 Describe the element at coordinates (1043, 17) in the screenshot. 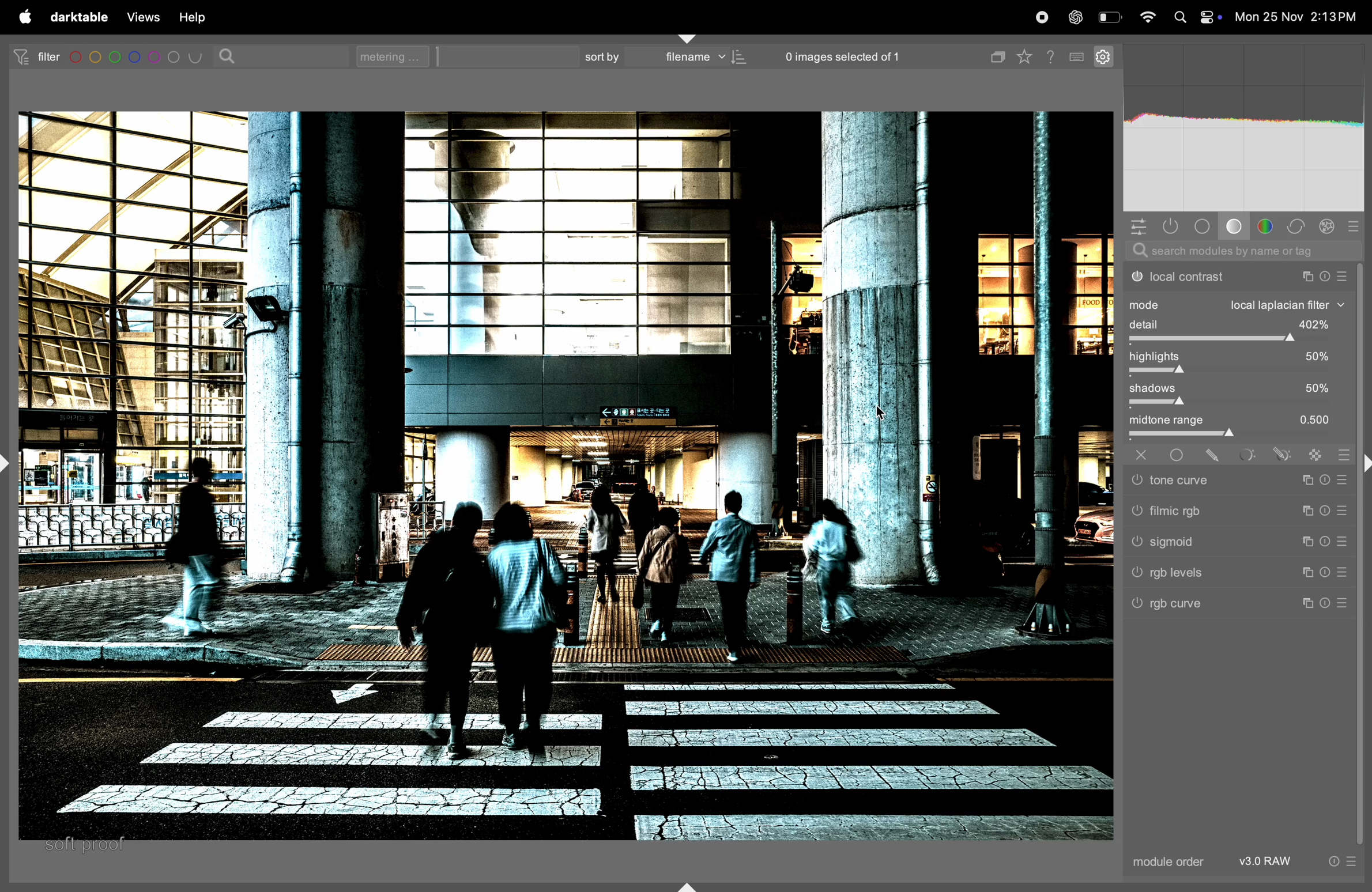

I see `record` at that location.